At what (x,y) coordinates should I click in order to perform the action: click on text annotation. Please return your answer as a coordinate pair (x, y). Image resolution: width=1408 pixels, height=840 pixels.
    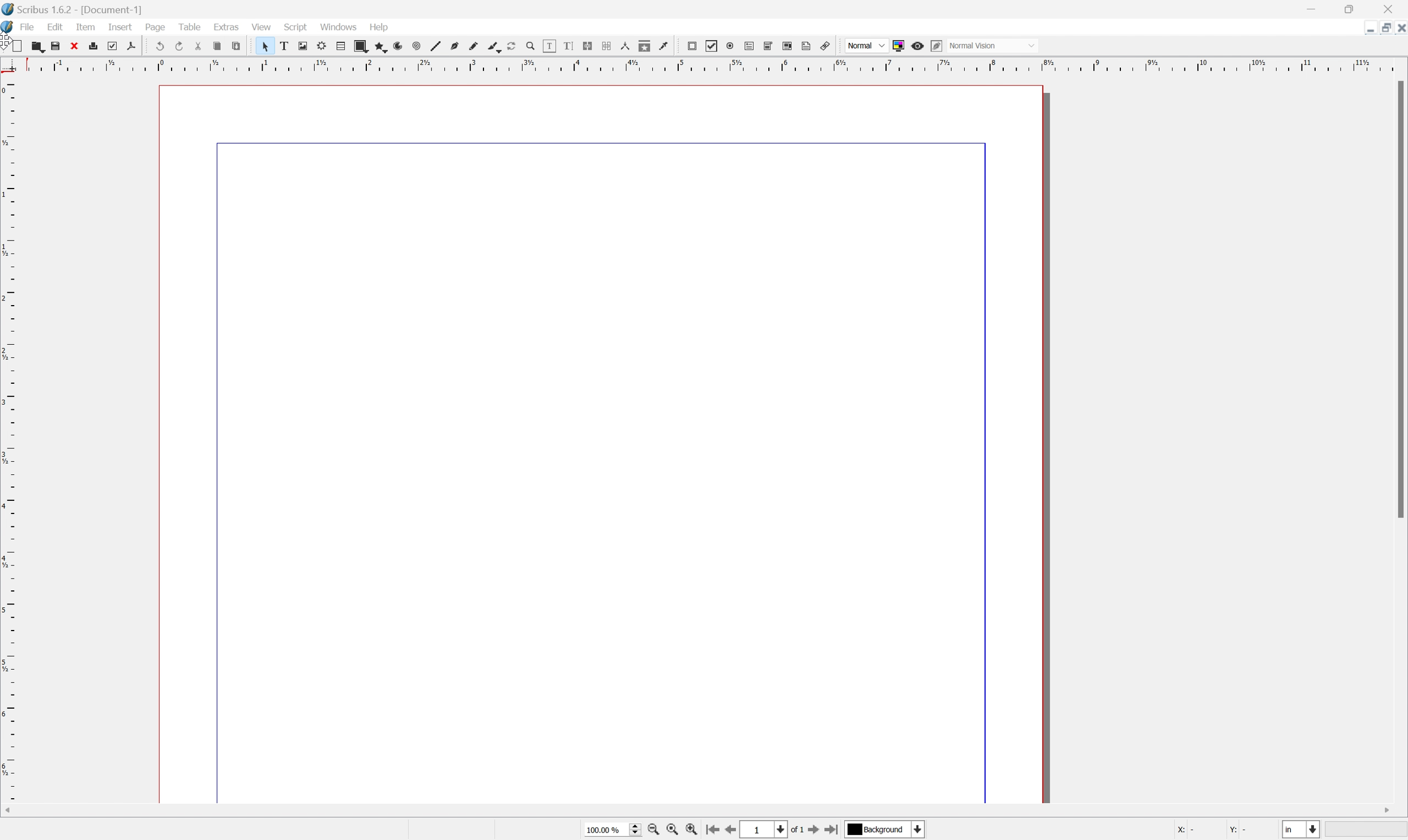
    Looking at the image, I should click on (806, 46).